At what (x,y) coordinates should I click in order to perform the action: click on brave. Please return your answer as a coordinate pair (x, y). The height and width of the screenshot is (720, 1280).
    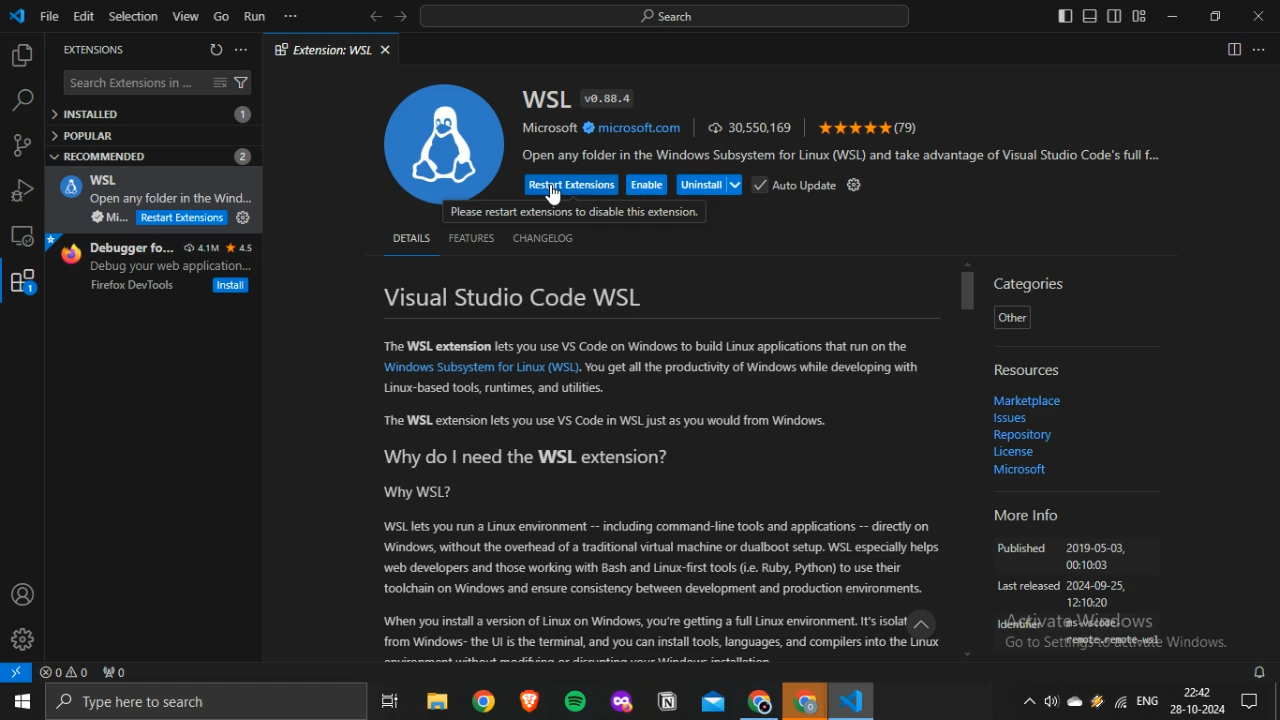
    Looking at the image, I should click on (530, 699).